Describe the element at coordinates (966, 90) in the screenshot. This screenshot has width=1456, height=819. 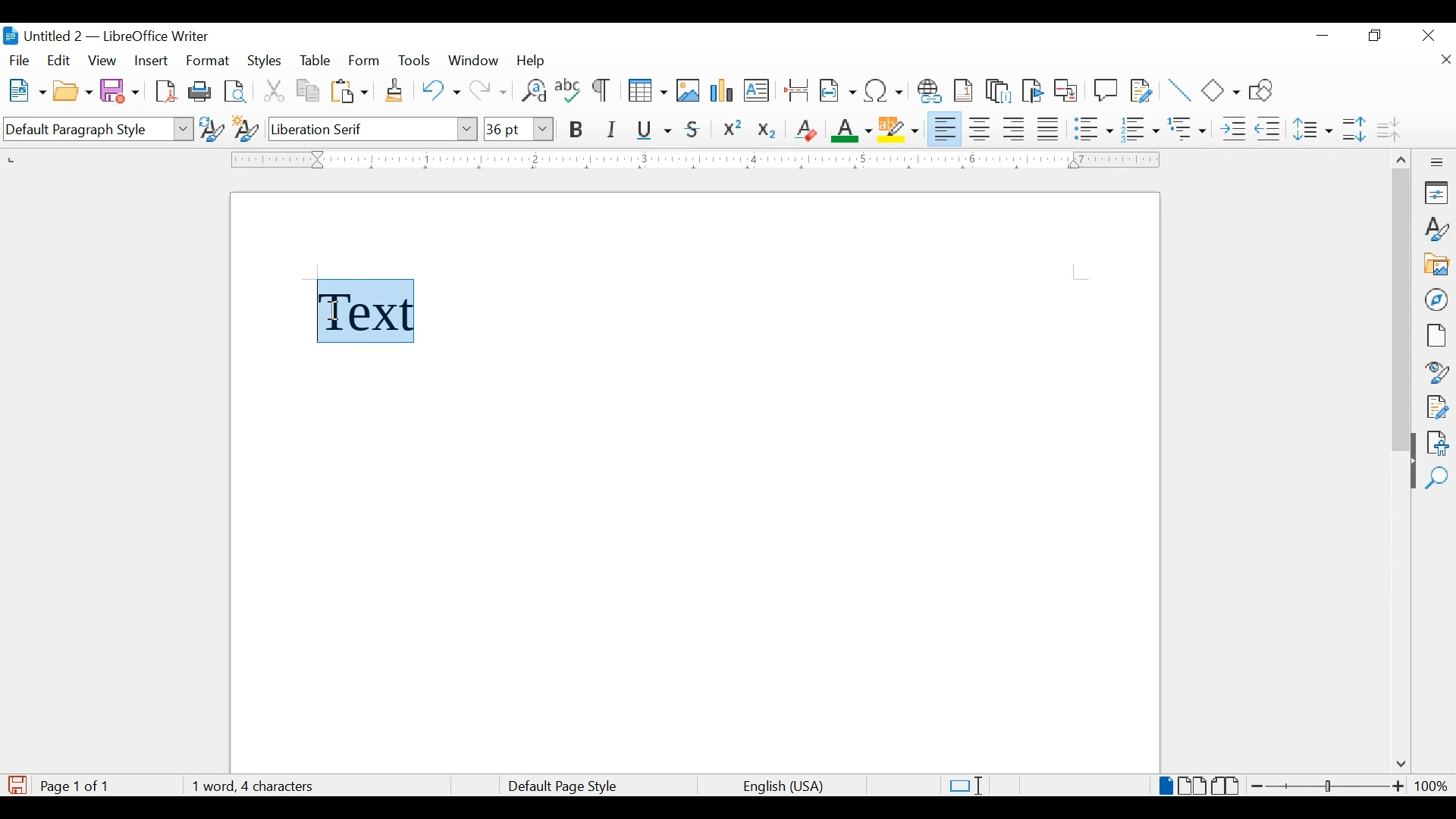
I see `insert footnote` at that location.